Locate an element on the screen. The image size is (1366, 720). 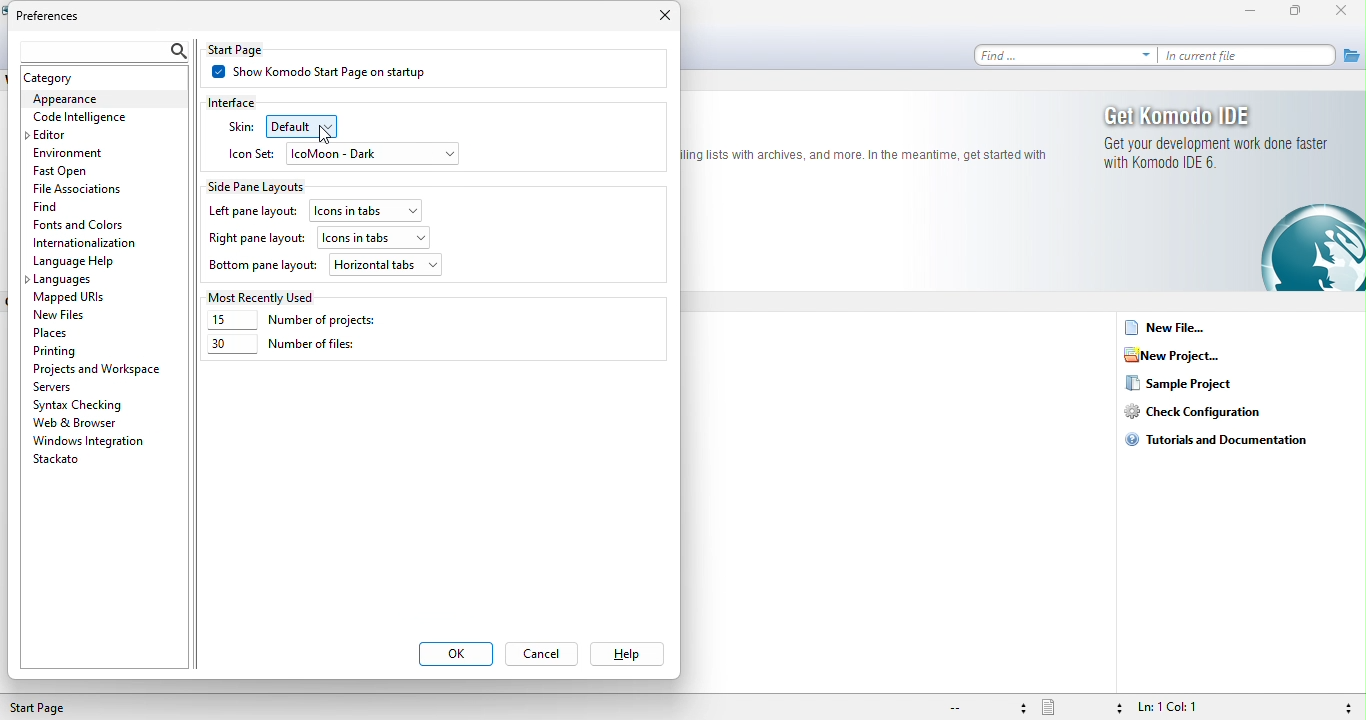
fast open is located at coordinates (86, 173).